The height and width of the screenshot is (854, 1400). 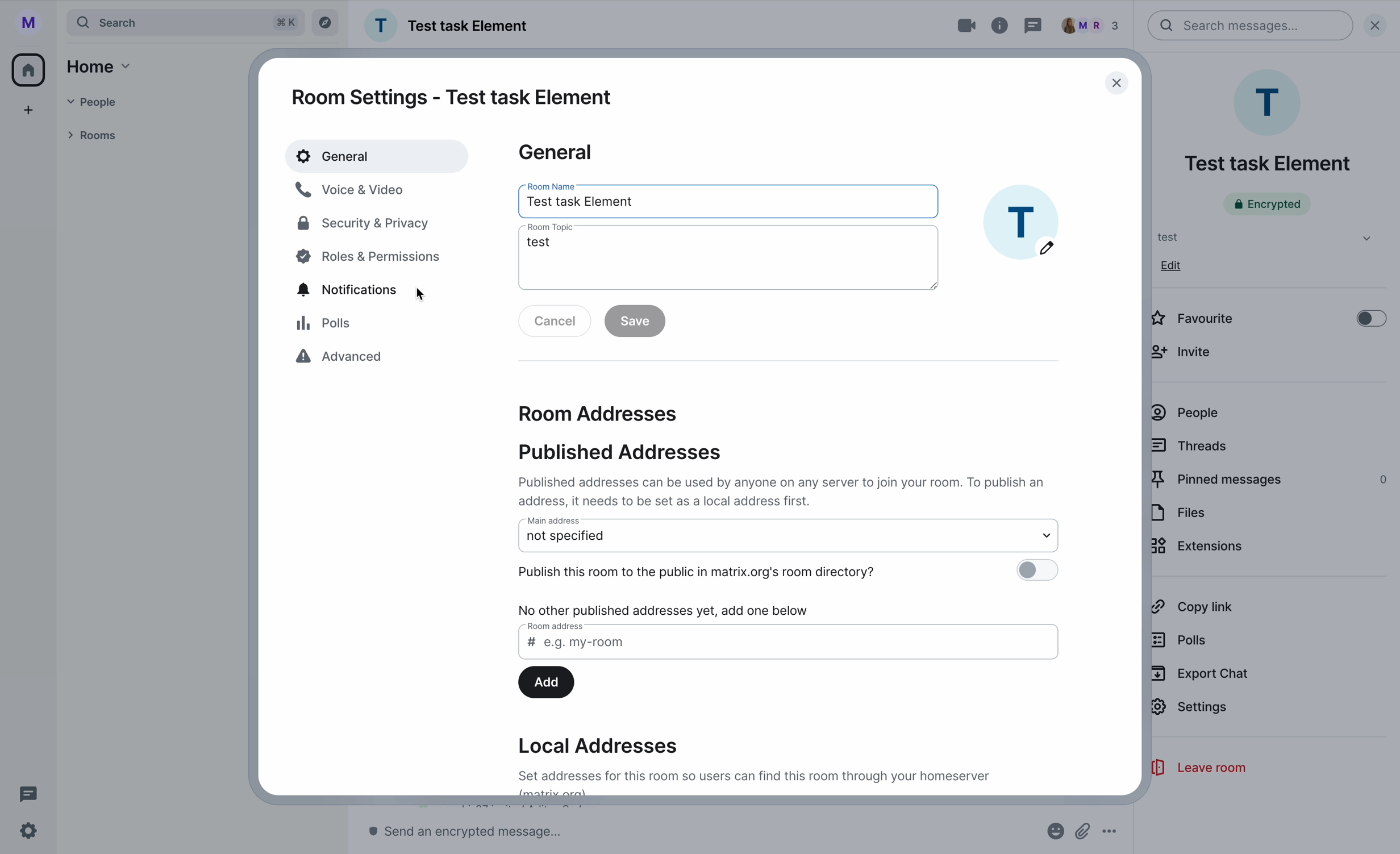 What do you see at coordinates (1268, 316) in the screenshot?
I see `disable favourite option` at bounding box center [1268, 316].